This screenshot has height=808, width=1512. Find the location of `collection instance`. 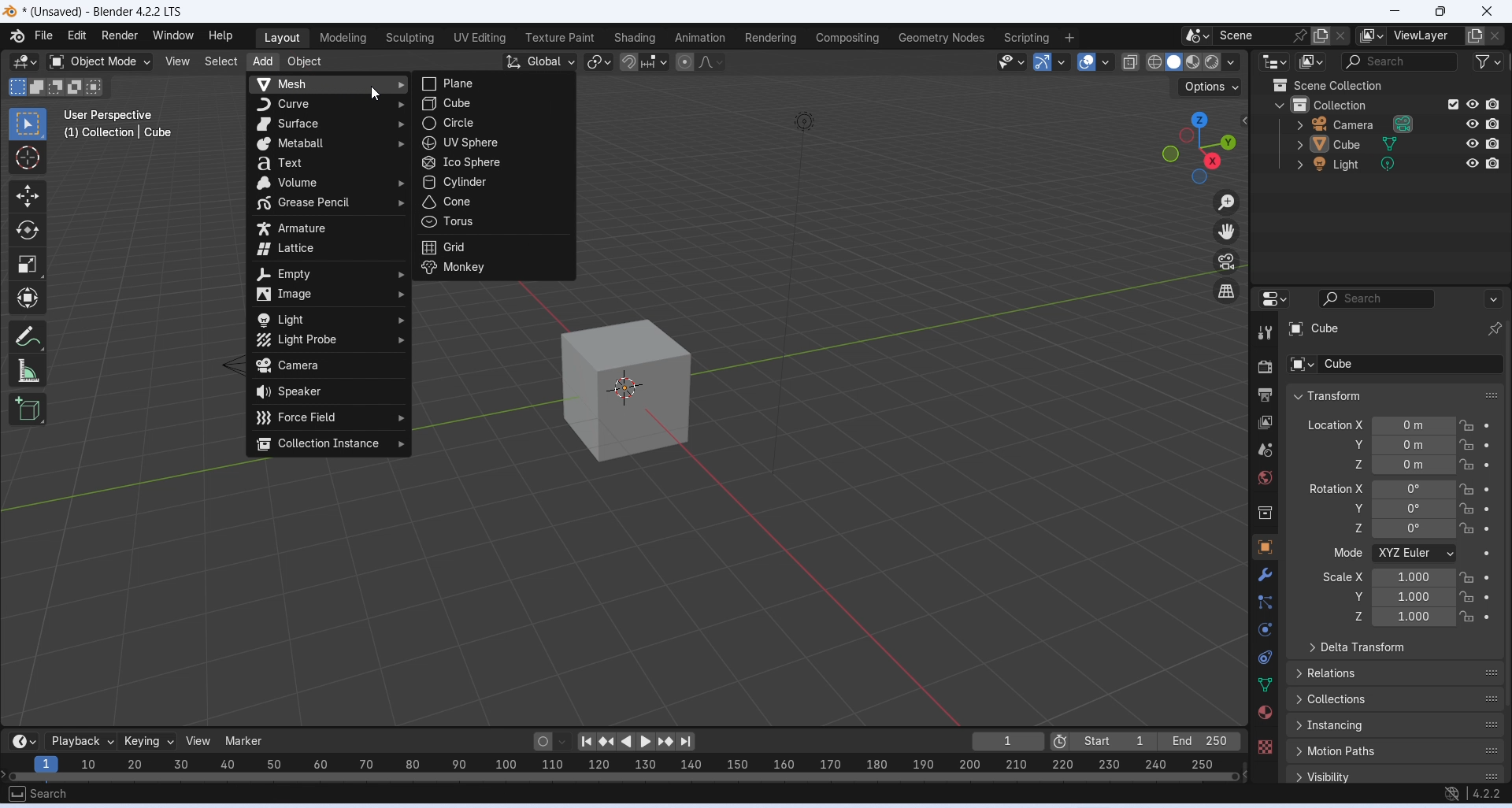

collection instance is located at coordinates (328, 444).